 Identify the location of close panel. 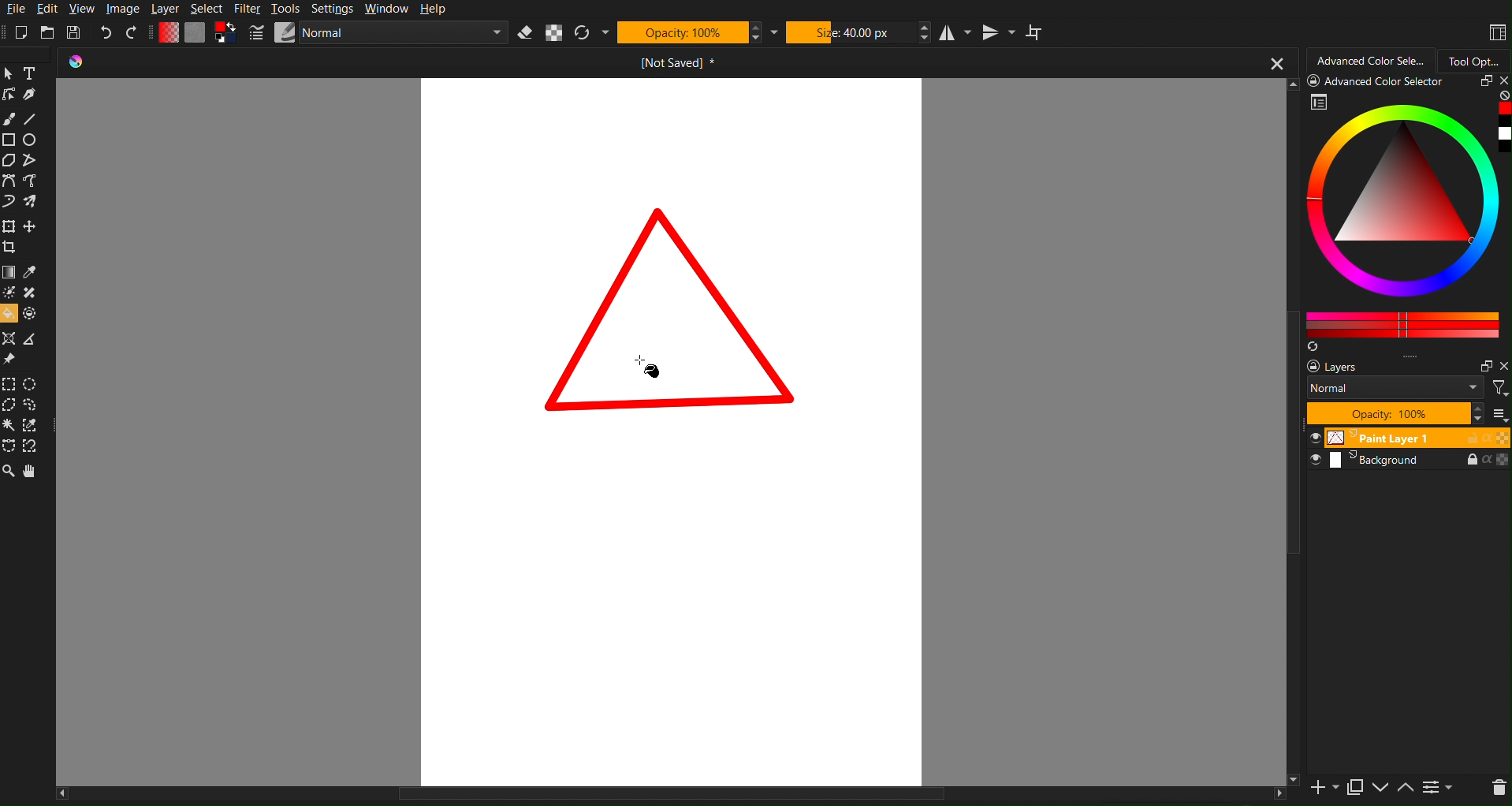
(1502, 82).